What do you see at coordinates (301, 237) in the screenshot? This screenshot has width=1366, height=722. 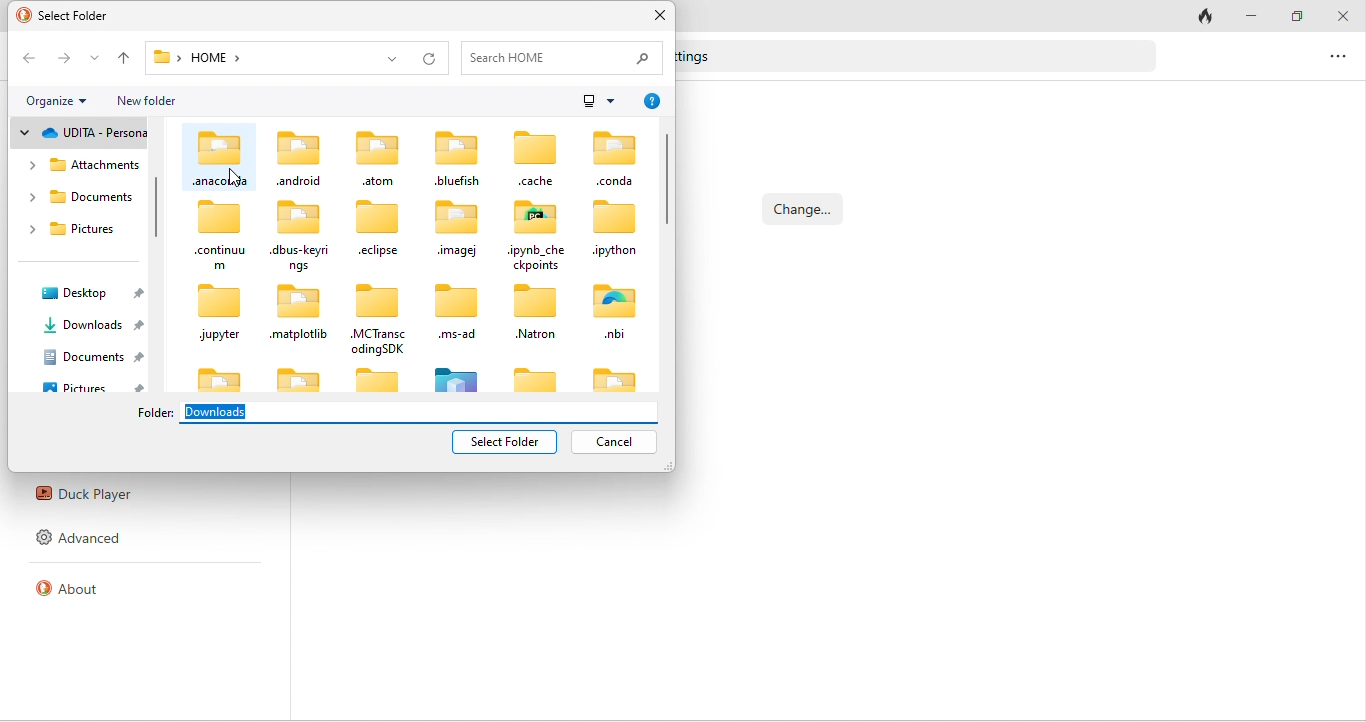 I see `.dbus-keyrings` at bounding box center [301, 237].